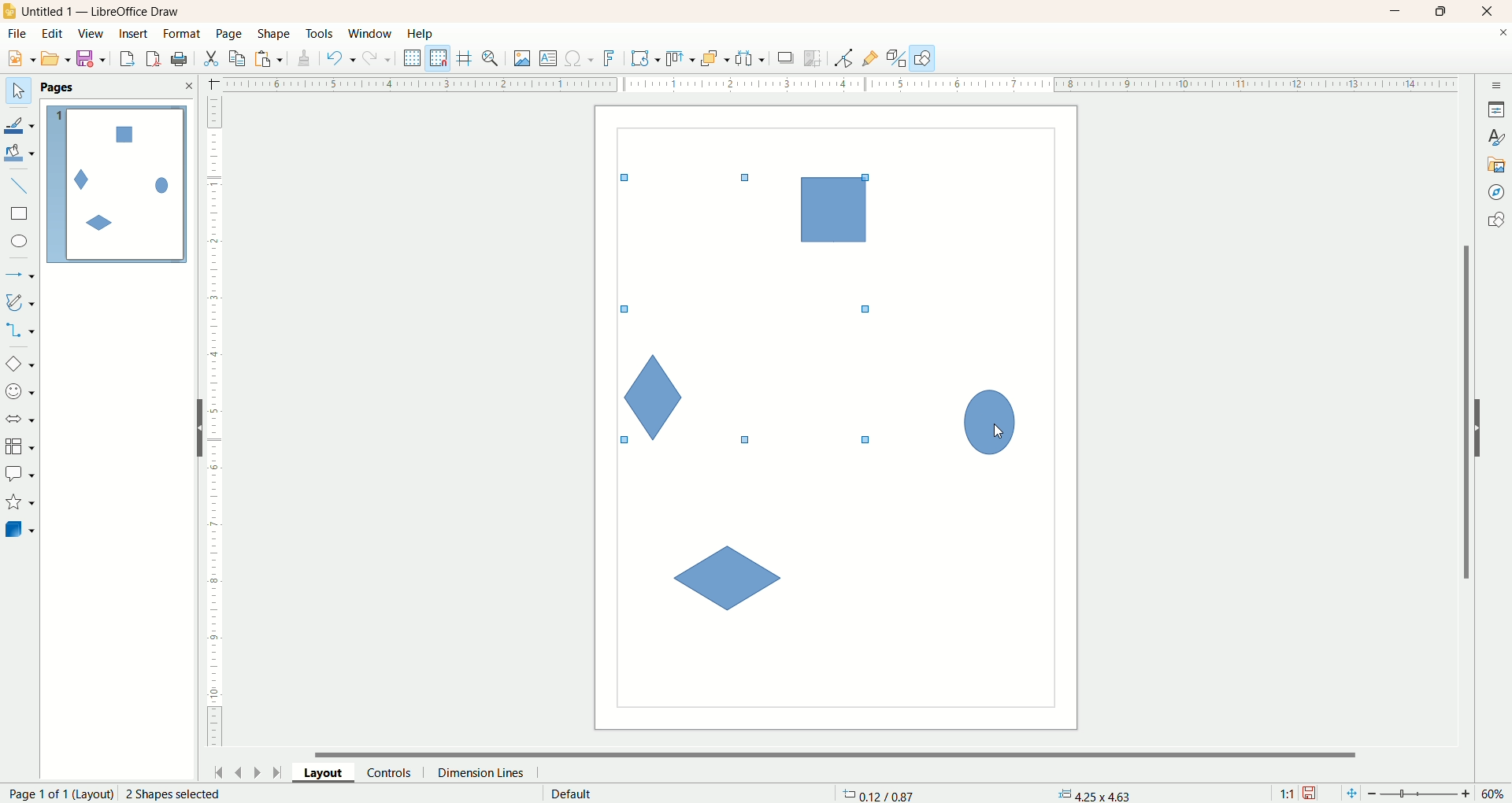 The image size is (1512, 803). Describe the element at coordinates (413, 57) in the screenshot. I see `display grid` at that location.